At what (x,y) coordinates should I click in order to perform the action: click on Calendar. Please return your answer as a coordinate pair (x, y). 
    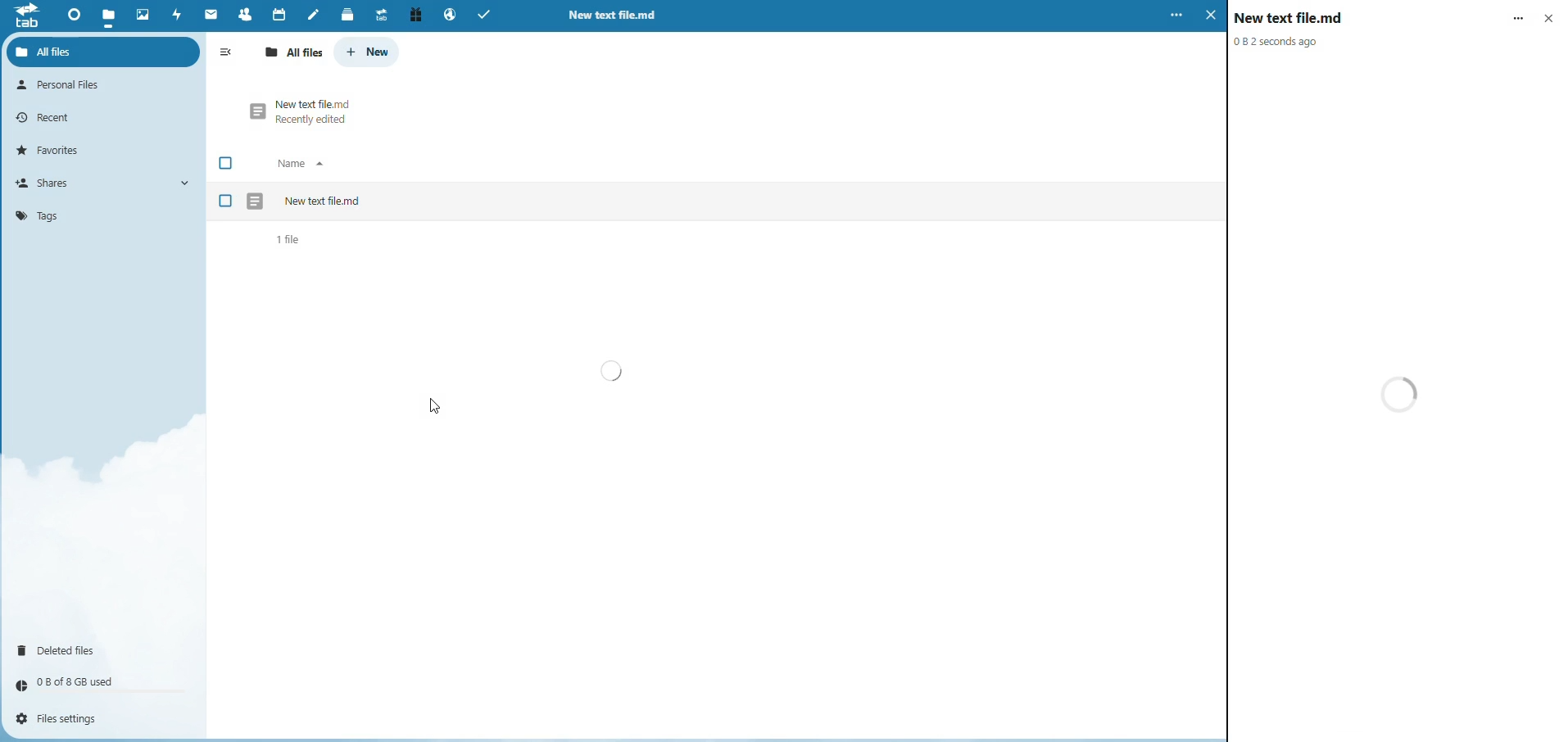
    Looking at the image, I should click on (278, 13).